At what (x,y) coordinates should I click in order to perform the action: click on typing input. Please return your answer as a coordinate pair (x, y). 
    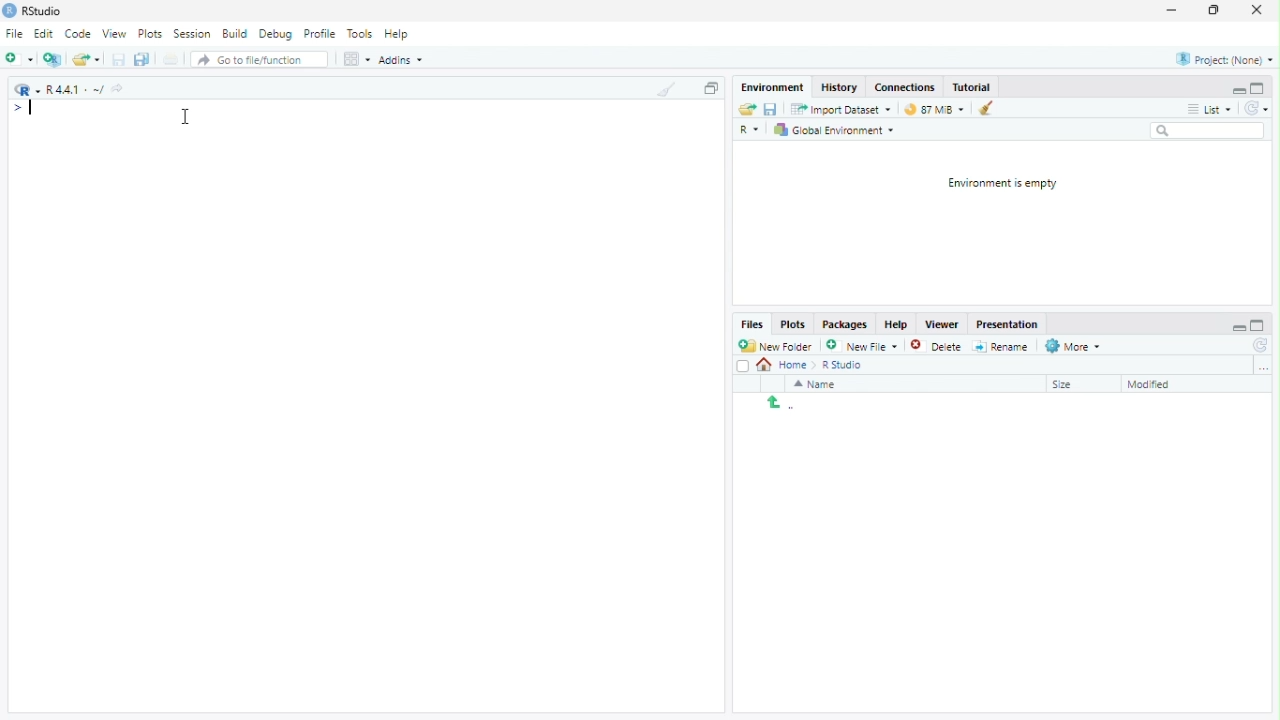
    Looking at the image, I should click on (26, 110).